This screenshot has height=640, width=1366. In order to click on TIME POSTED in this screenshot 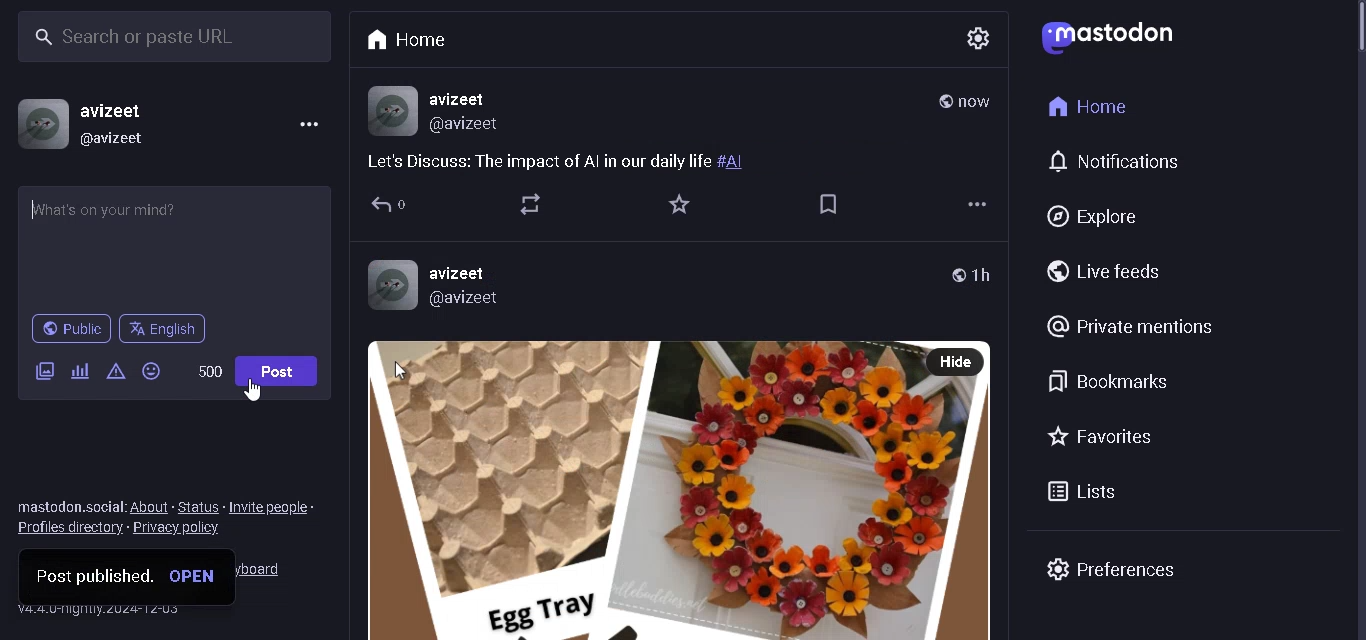, I will do `click(979, 102)`.